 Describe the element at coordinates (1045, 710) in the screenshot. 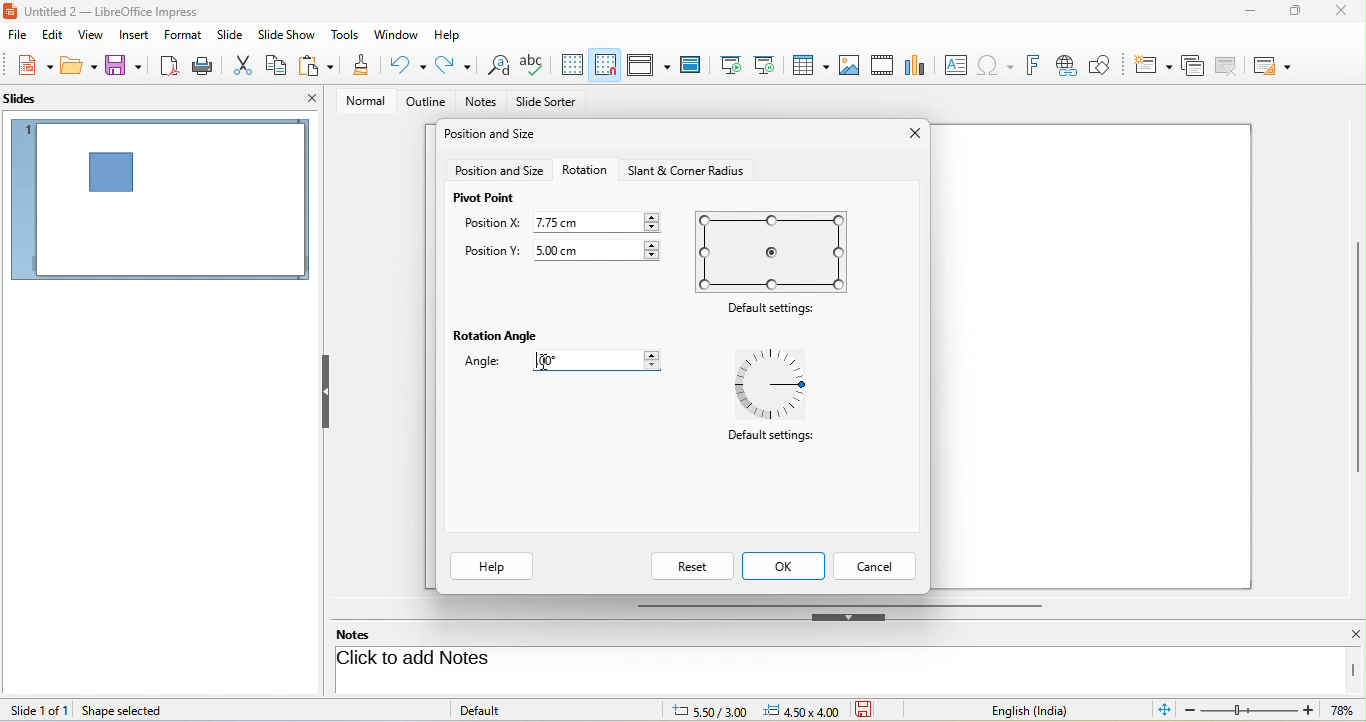

I see `text language` at that location.